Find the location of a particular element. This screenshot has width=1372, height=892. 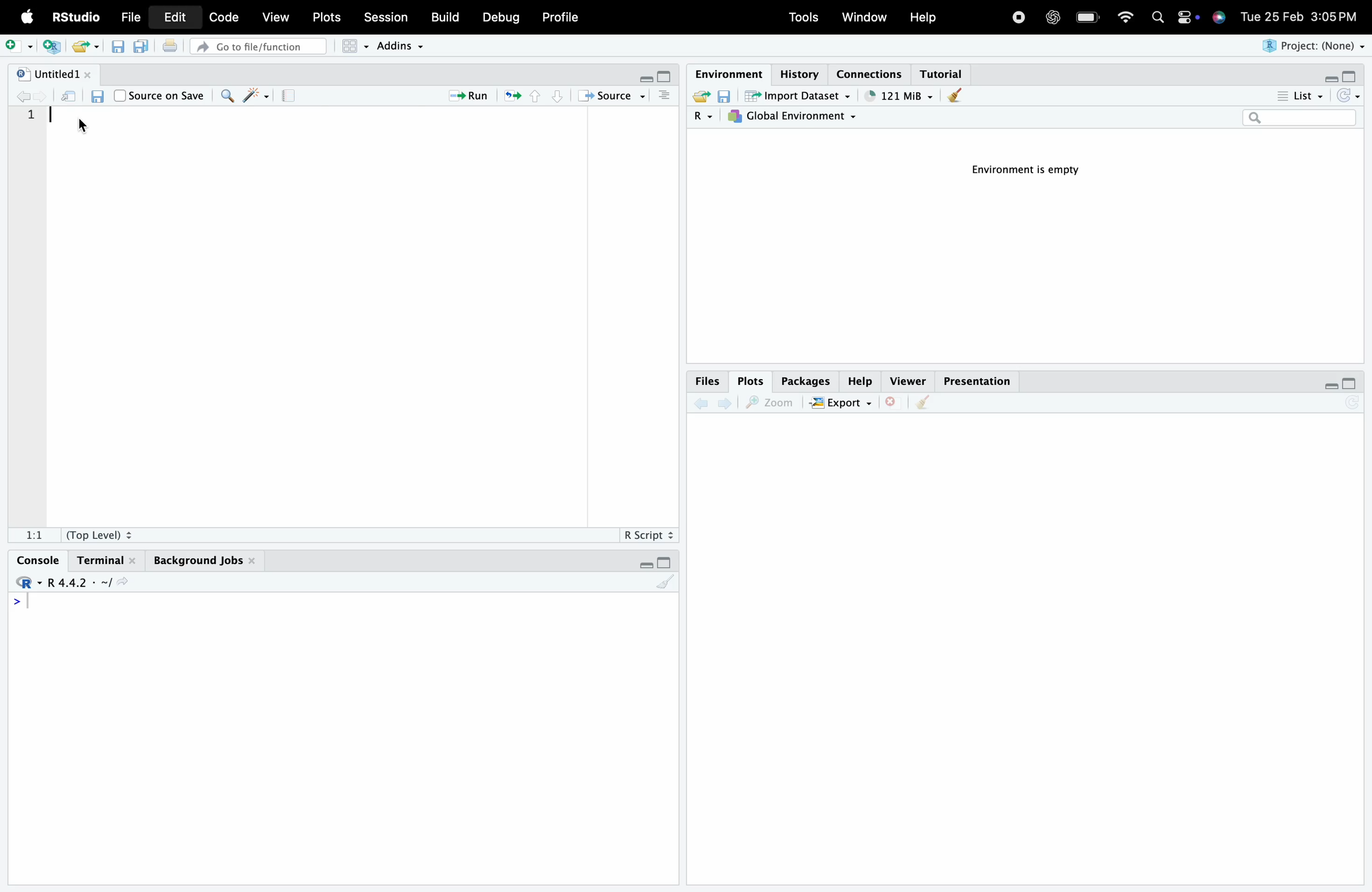

Minimize is located at coordinates (646, 565).